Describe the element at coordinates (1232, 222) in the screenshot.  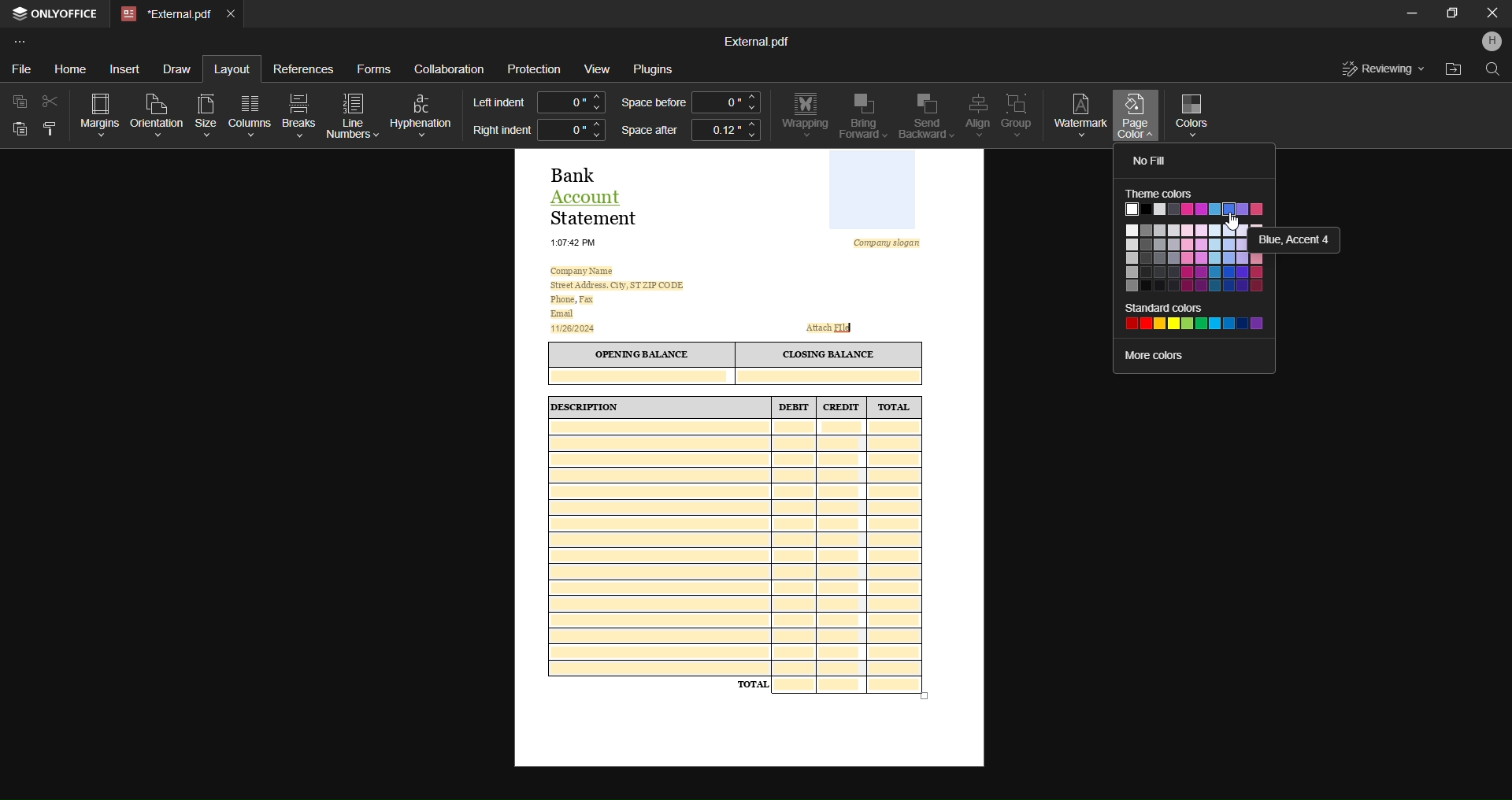
I see `cursor` at that location.